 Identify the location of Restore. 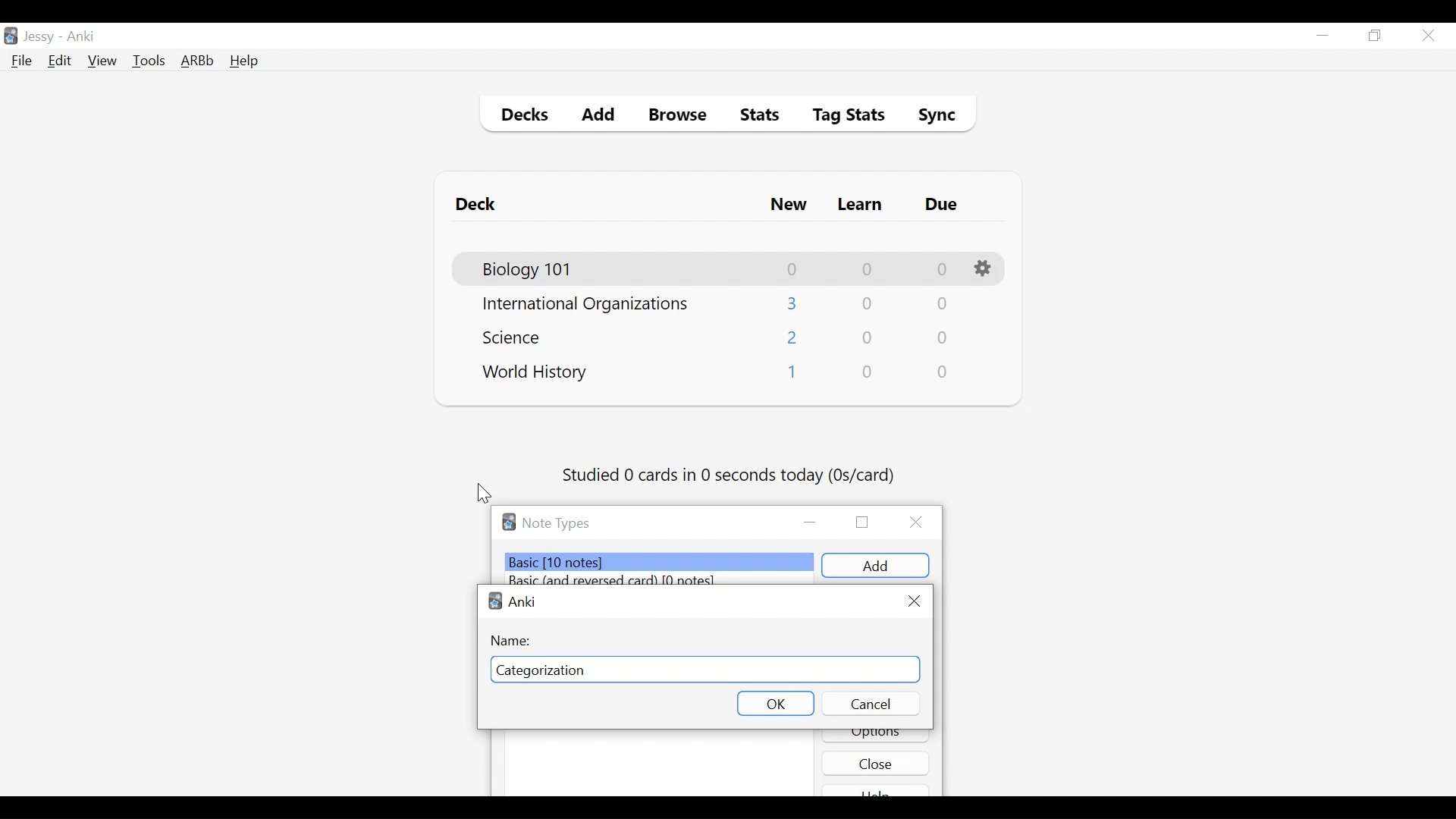
(862, 521).